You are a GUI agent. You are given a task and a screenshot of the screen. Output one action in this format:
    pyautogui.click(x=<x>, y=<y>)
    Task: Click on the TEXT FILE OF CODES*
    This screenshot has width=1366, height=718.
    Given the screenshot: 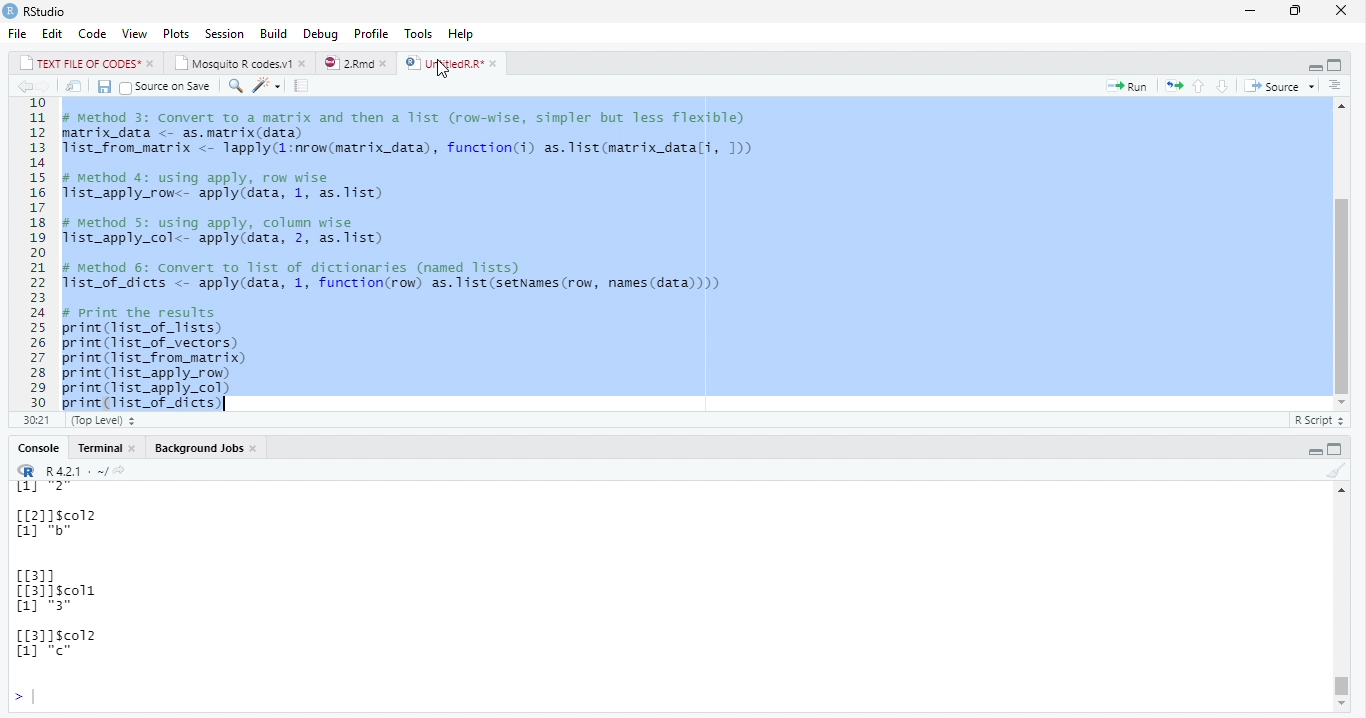 What is the action you would take?
    pyautogui.click(x=86, y=63)
    